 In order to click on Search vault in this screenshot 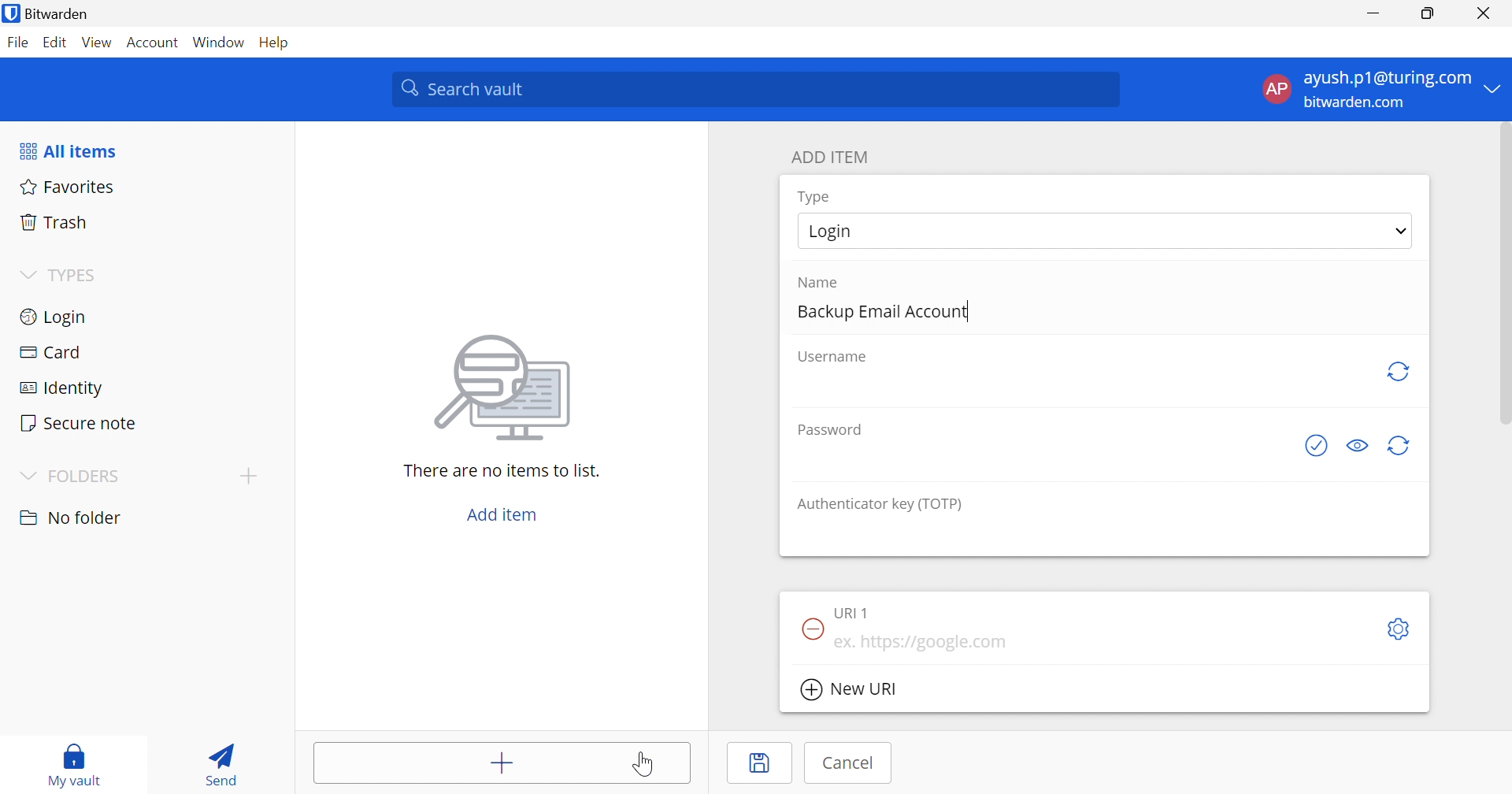, I will do `click(759, 90)`.